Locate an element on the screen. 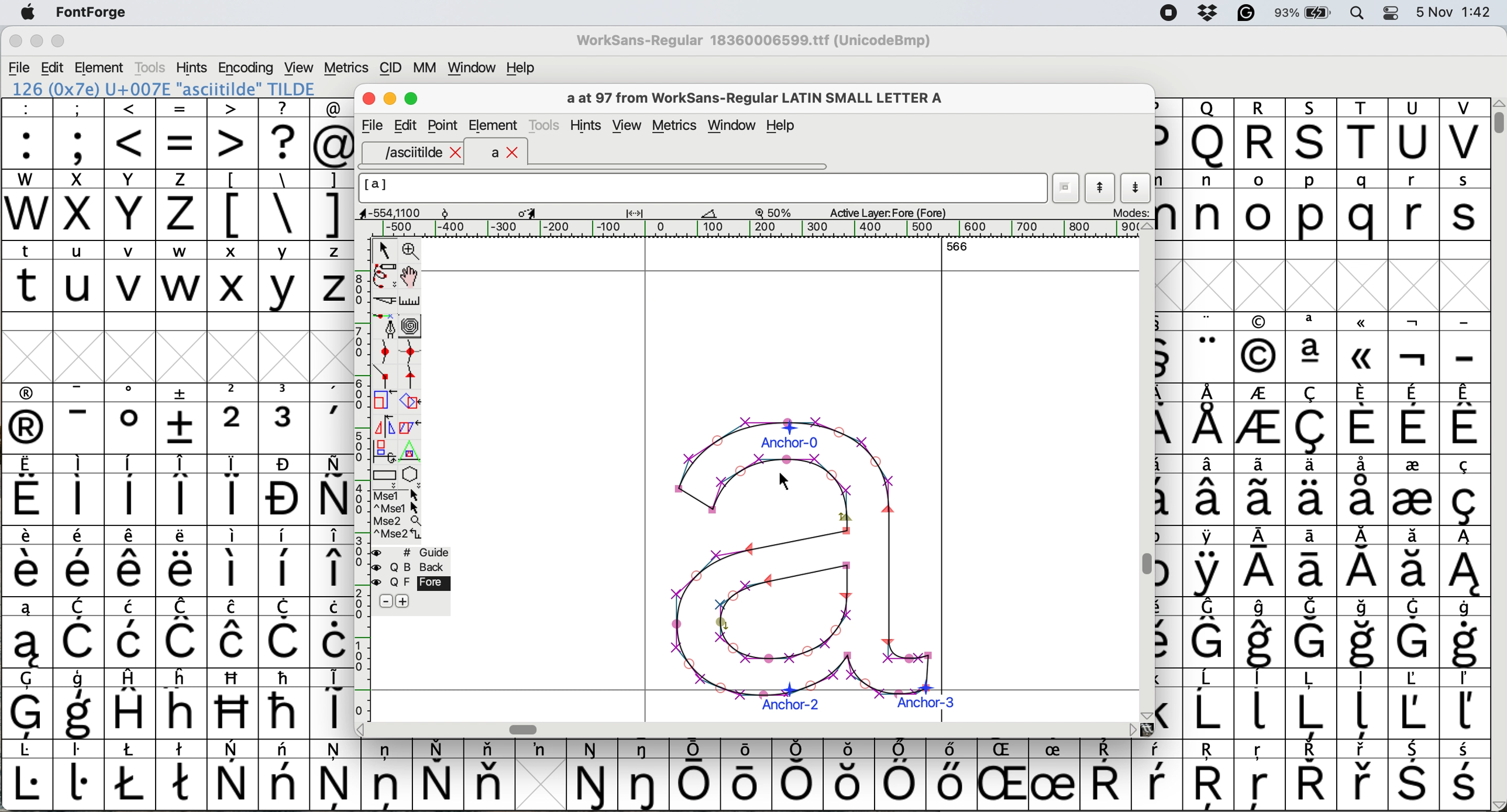 The height and width of the screenshot is (812, 1507). Y is located at coordinates (132, 205).